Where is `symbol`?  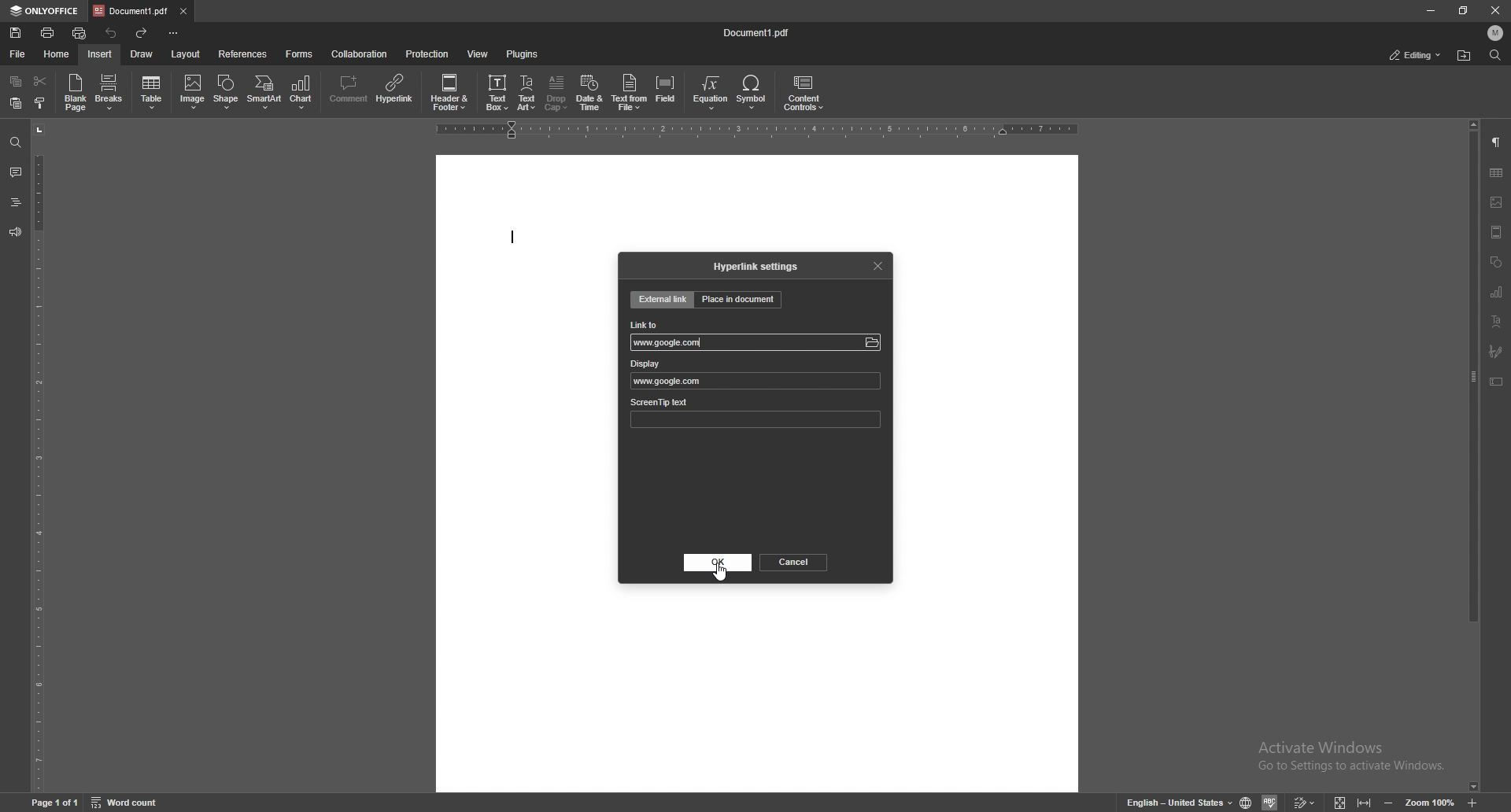 symbol is located at coordinates (754, 93).